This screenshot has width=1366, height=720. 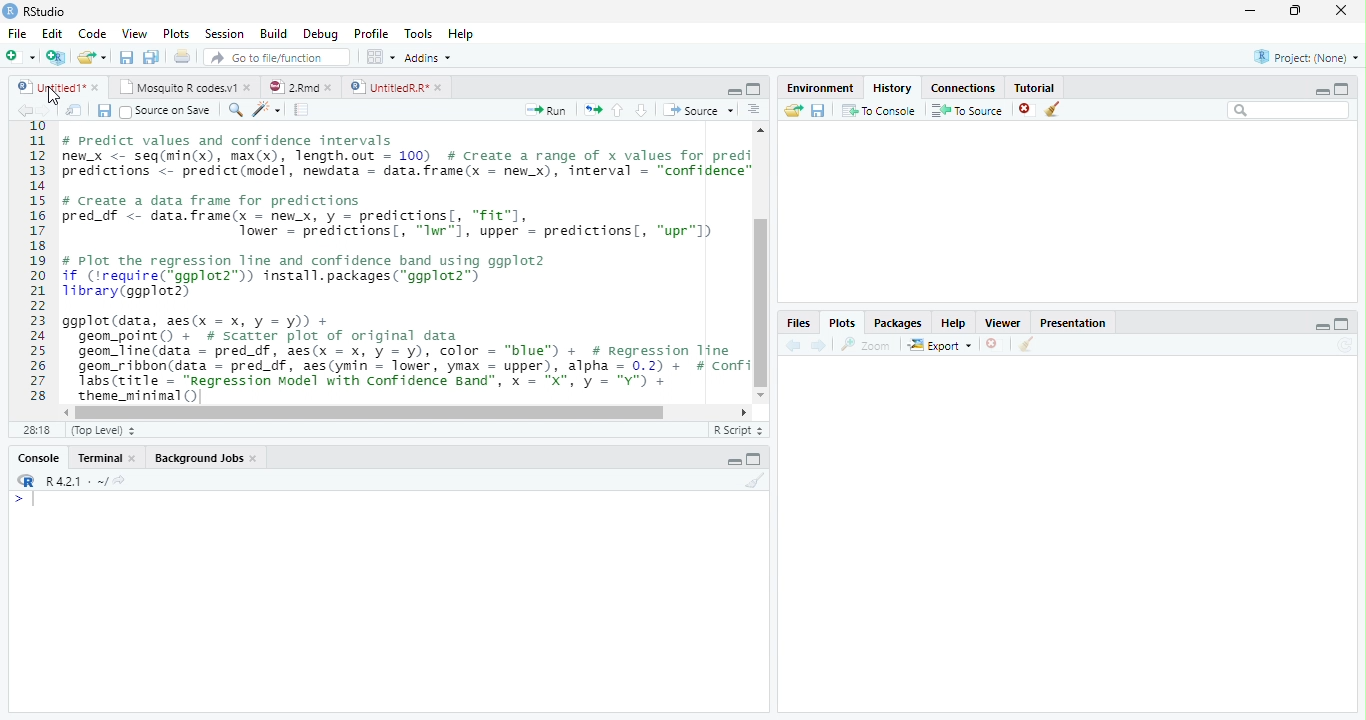 What do you see at coordinates (38, 498) in the screenshot?
I see `Cursor` at bounding box center [38, 498].